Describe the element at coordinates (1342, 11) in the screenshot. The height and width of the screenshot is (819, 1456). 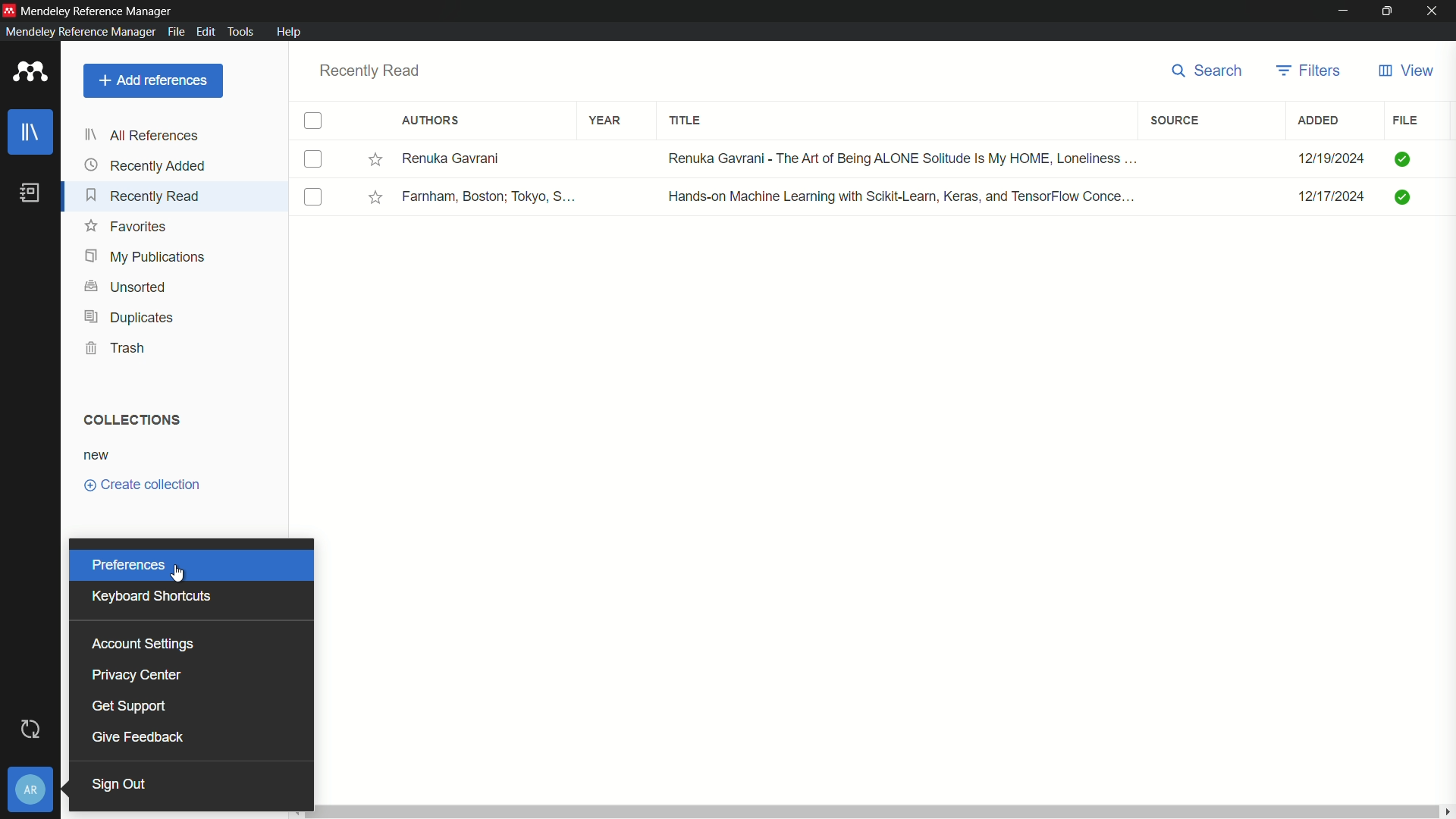
I see `minimize` at that location.